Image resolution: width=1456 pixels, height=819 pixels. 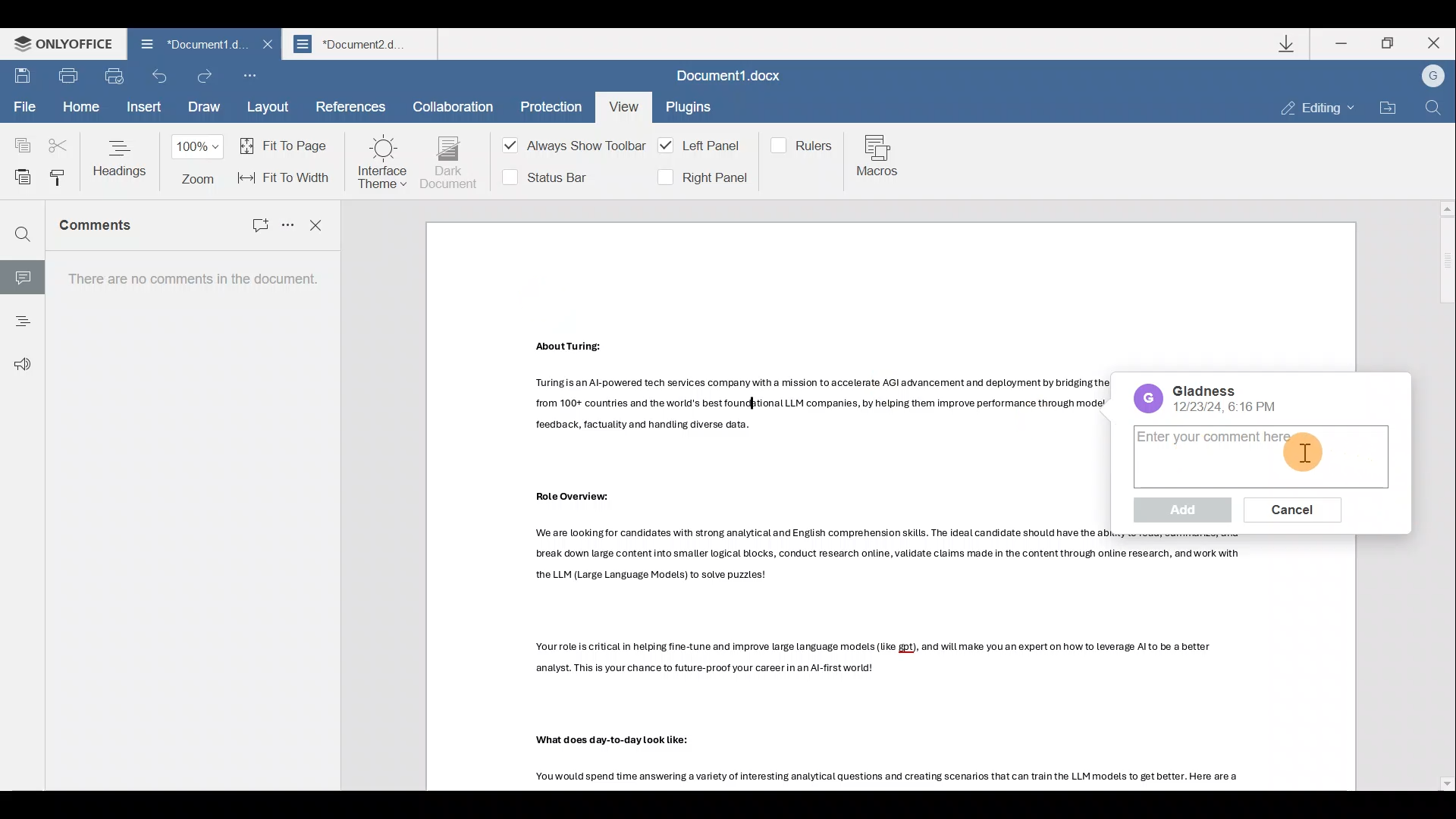 What do you see at coordinates (453, 105) in the screenshot?
I see `Collaboration` at bounding box center [453, 105].